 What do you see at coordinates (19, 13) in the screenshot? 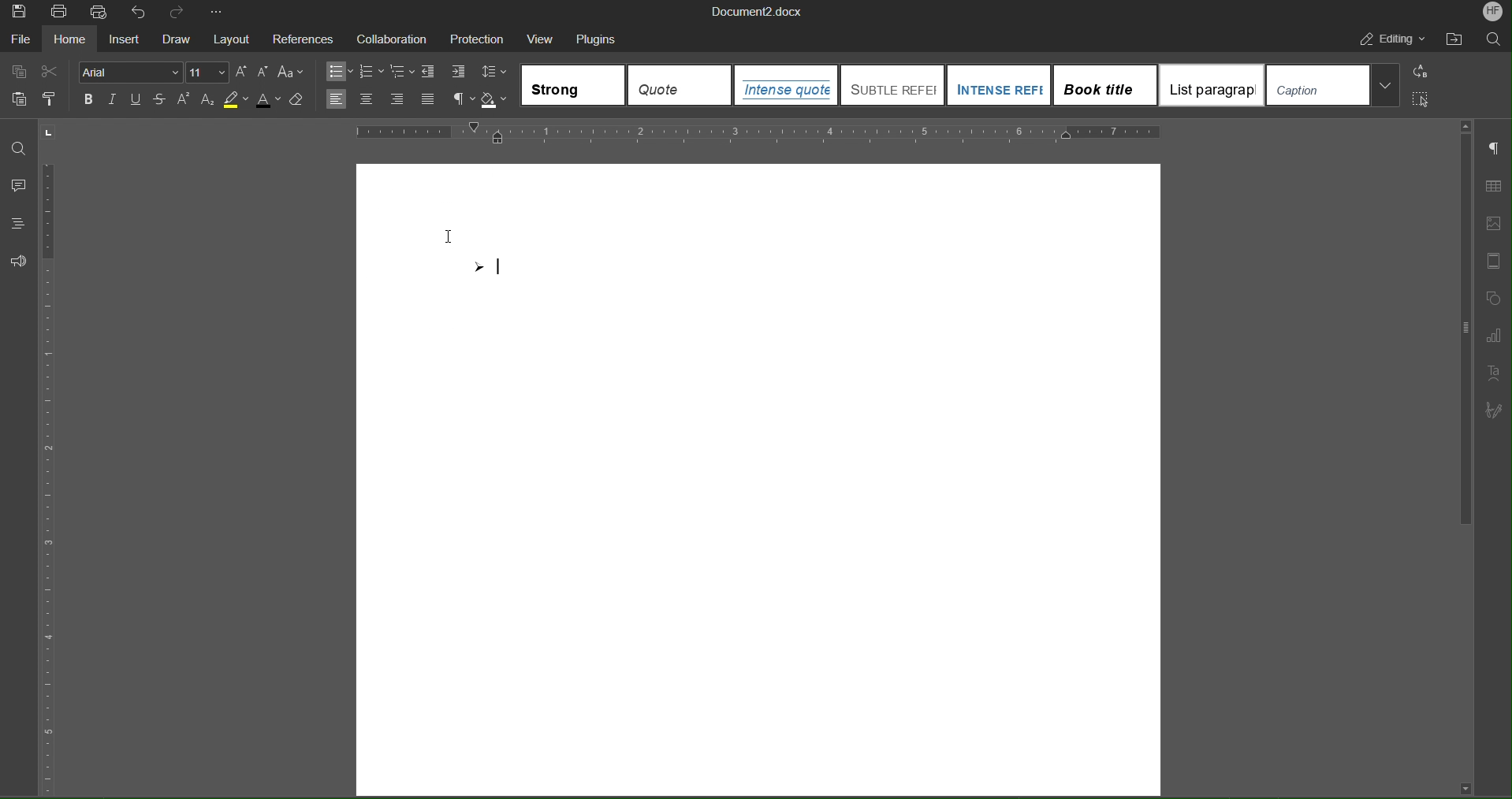
I see `Save` at bounding box center [19, 13].